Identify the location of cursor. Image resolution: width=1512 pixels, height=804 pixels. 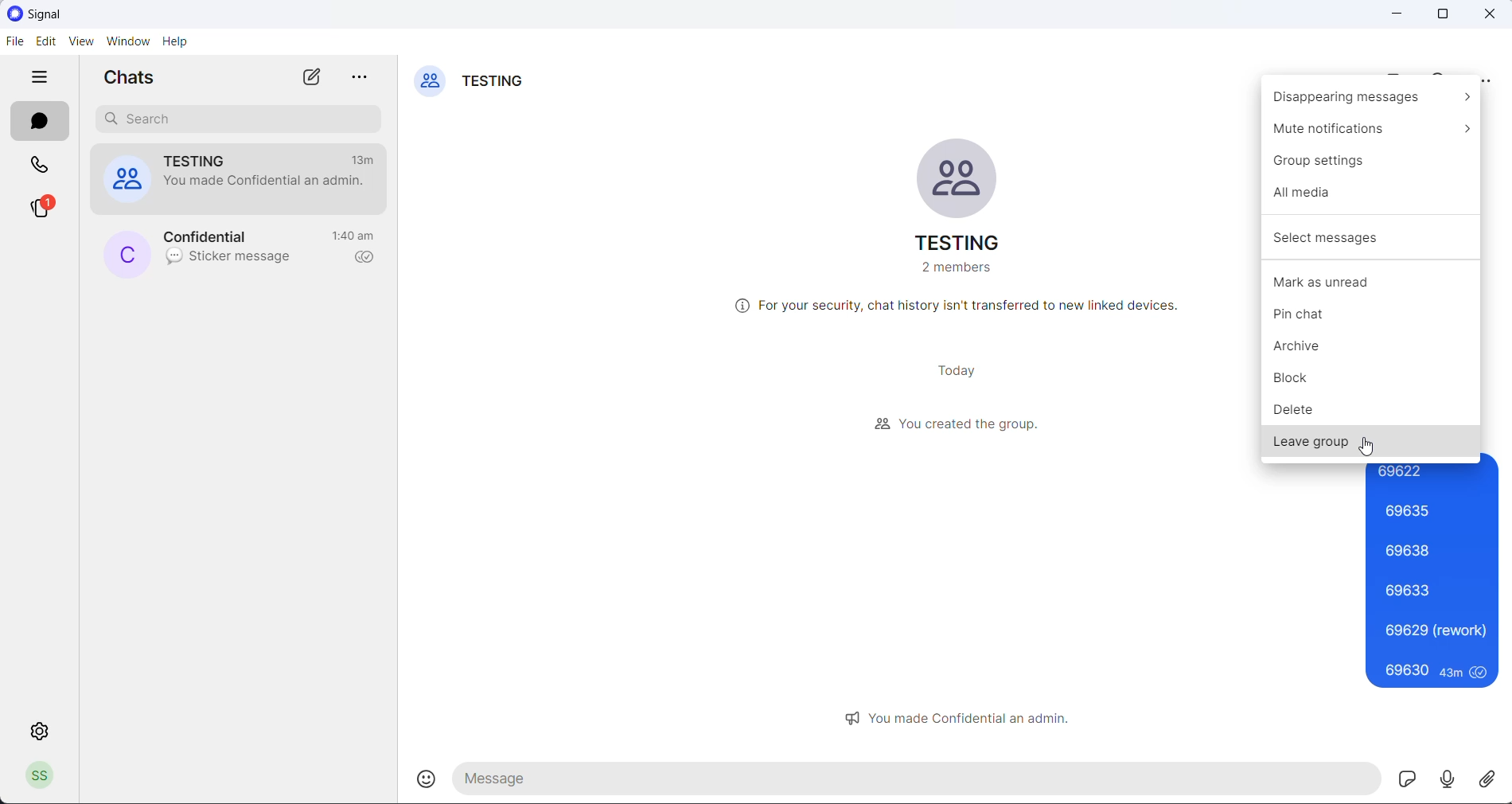
(1366, 450).